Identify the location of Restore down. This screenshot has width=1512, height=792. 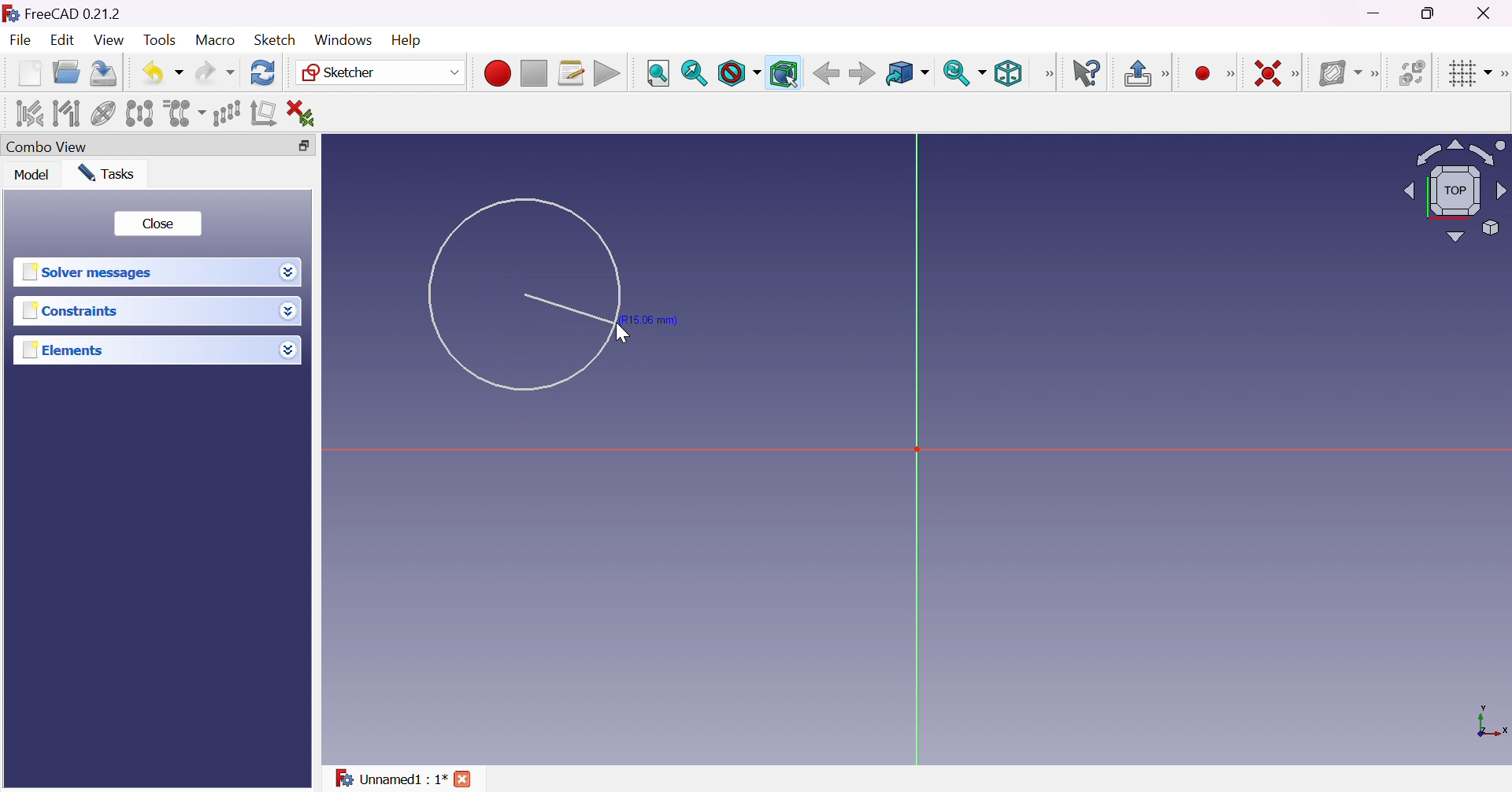
(299, 146).